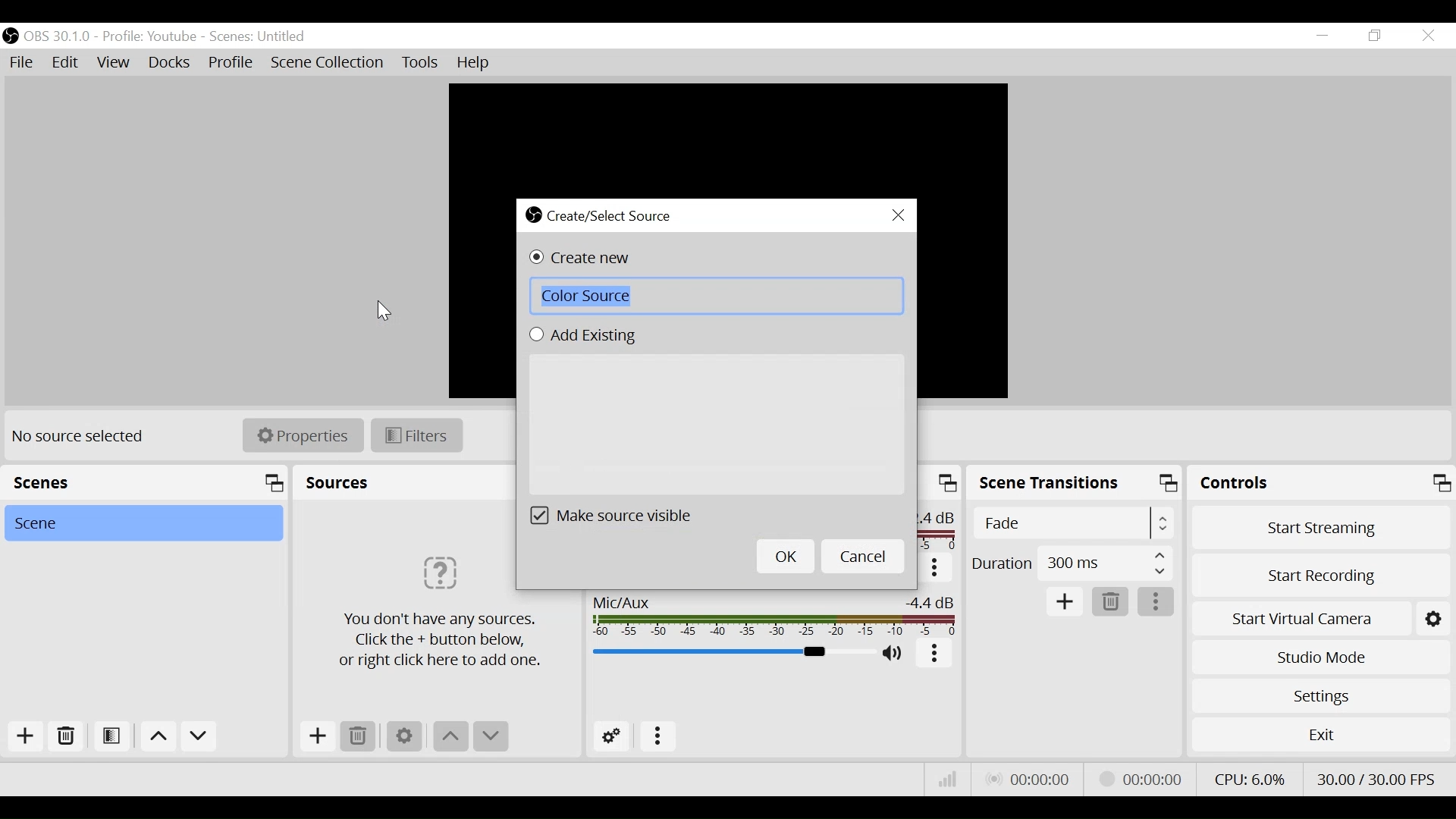 Image resolution: width=1456 pixels, height=819 pixels. What do you see at coordinates (899, 215) in the screenshot?
I see `Close` at bounding box center [899, 215].